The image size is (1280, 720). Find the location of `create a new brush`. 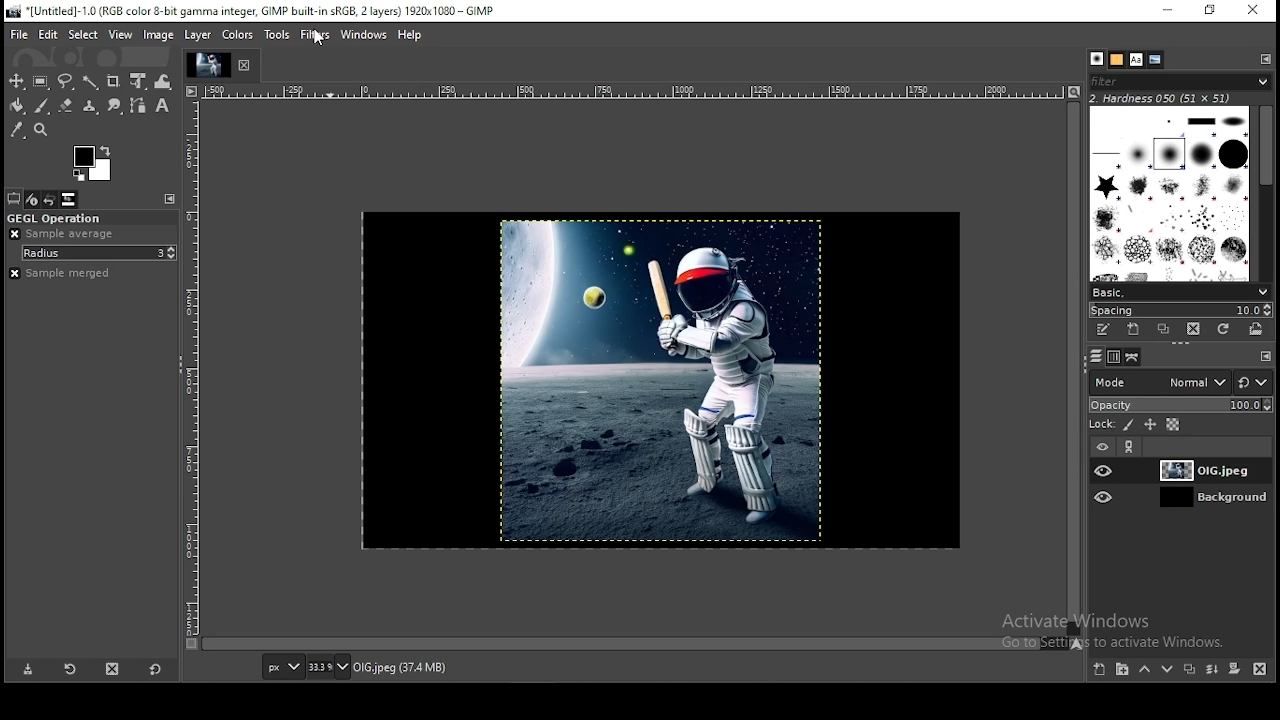

create a new brush is located at coordinates (1134, 330).